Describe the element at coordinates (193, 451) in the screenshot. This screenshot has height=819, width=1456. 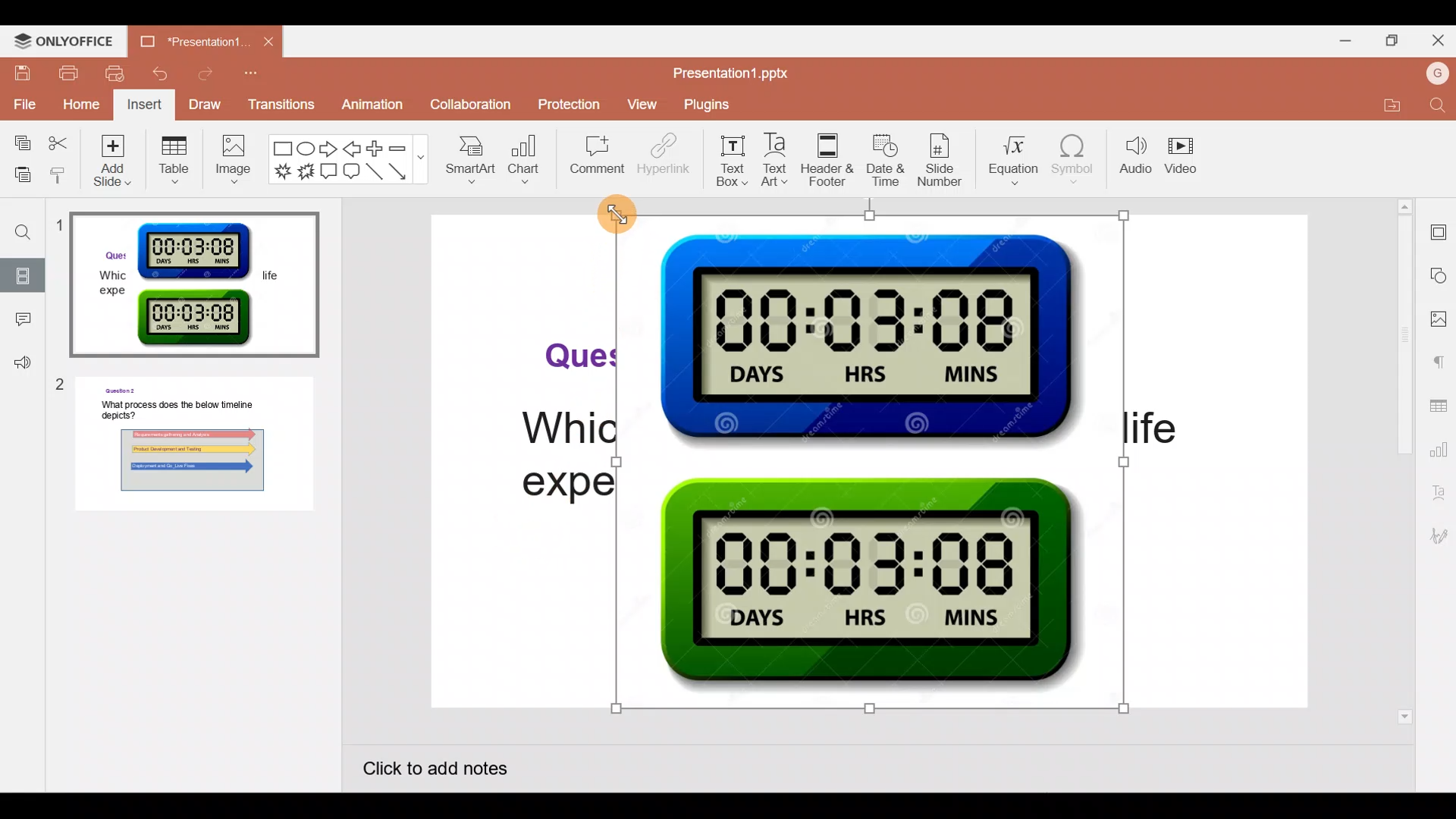
I see `Slide 2 preview` at that location.